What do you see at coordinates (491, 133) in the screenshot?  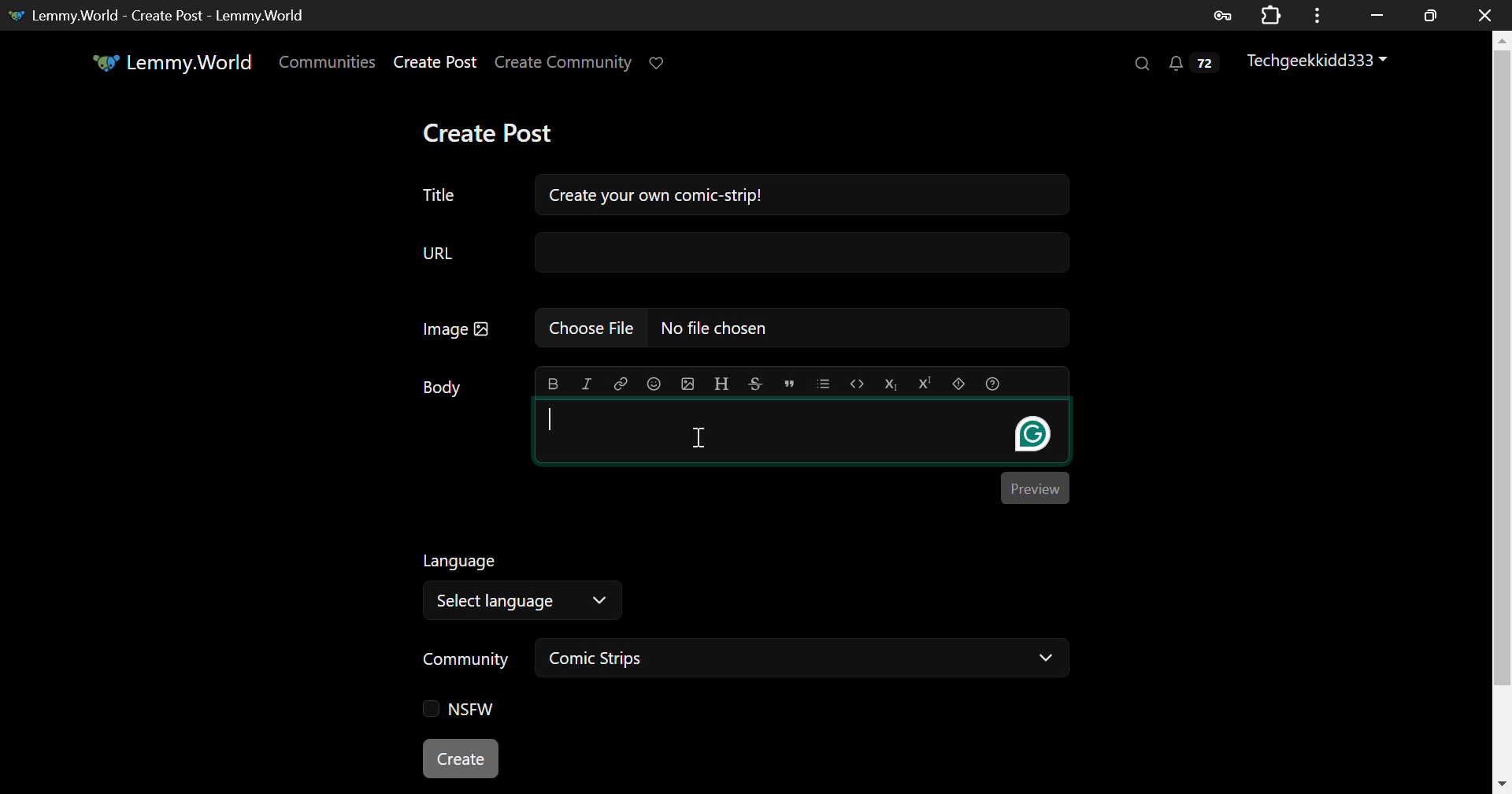 I see `Create Post` at bounding box center [491, 133].